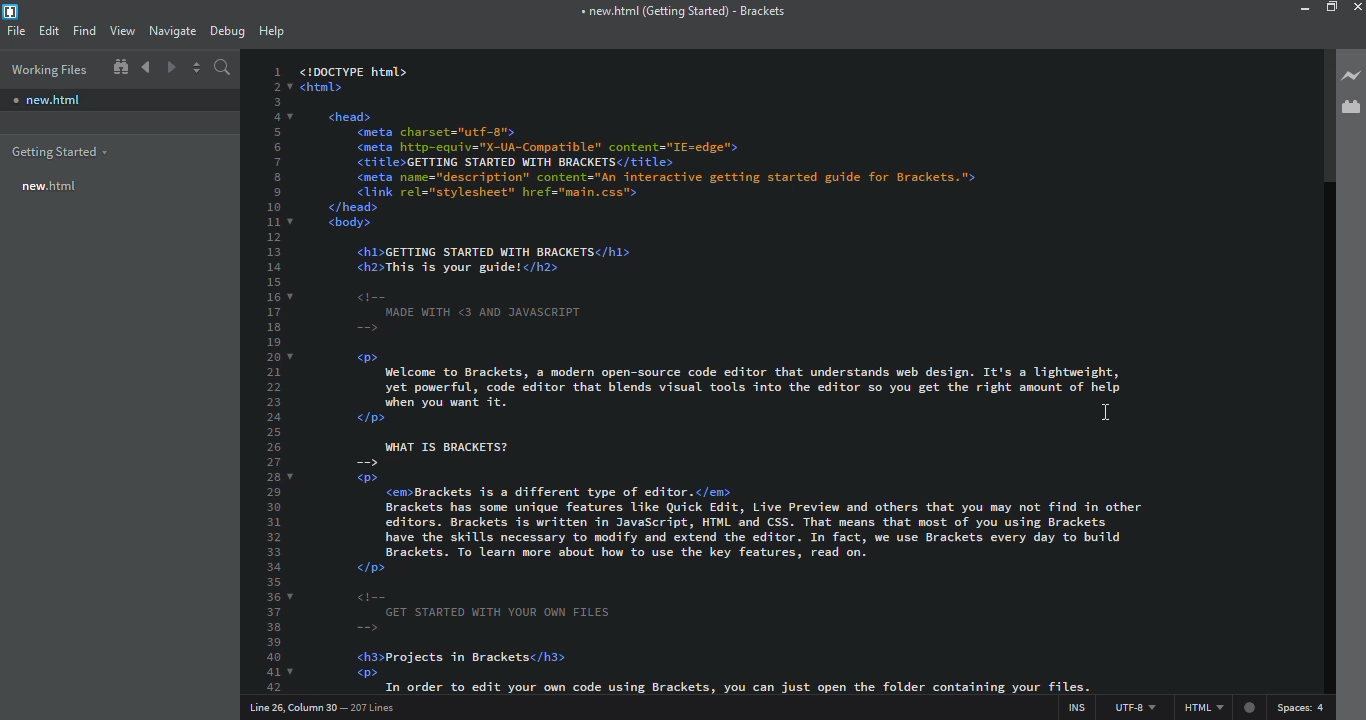 The width and height of the screenshot is (1366, 720). I want to click on edit, so click(49, 30).